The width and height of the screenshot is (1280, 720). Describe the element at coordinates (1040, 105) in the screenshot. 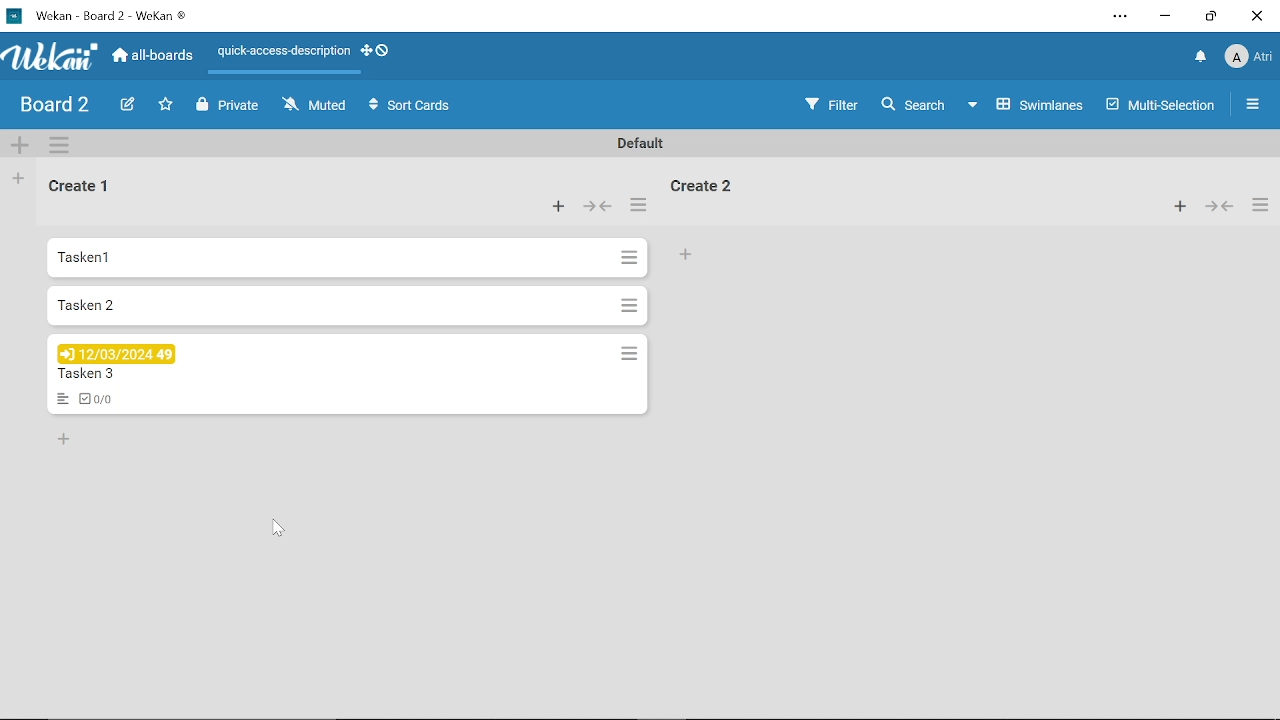

I see `Swimlanes` at that location.